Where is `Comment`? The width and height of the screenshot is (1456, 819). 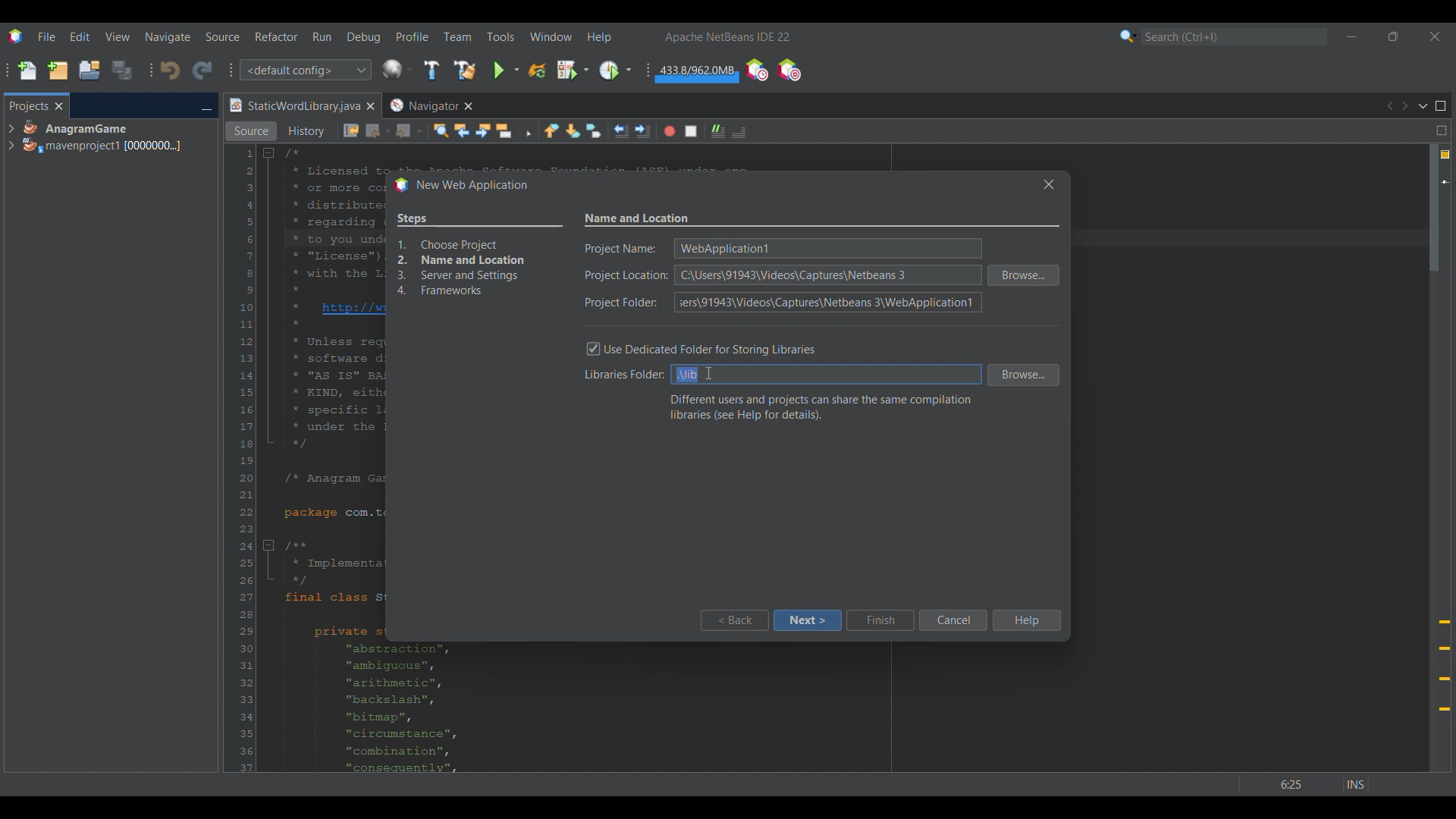
Comment is located at coordinates (739, 132).